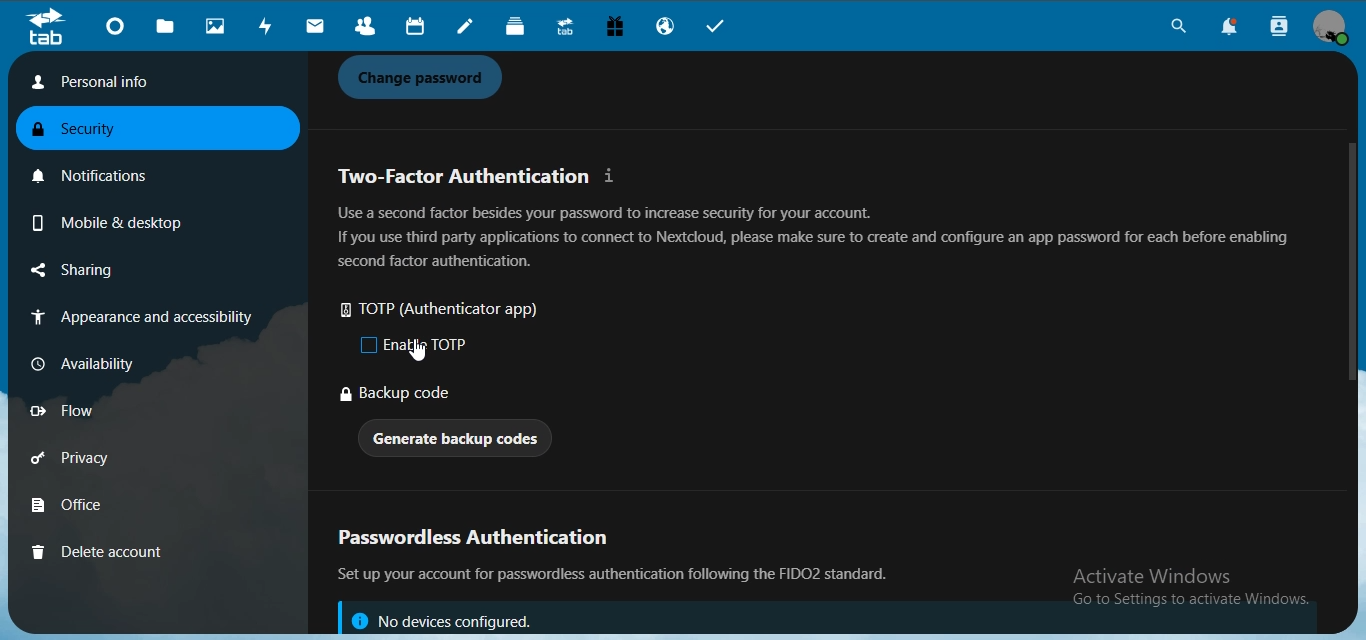 This screenshot has width=1366, height=640. What do you see at coordinates (458, 441) in the screenshot?
I see `generate backup codes` at bounding box center [458, 441].